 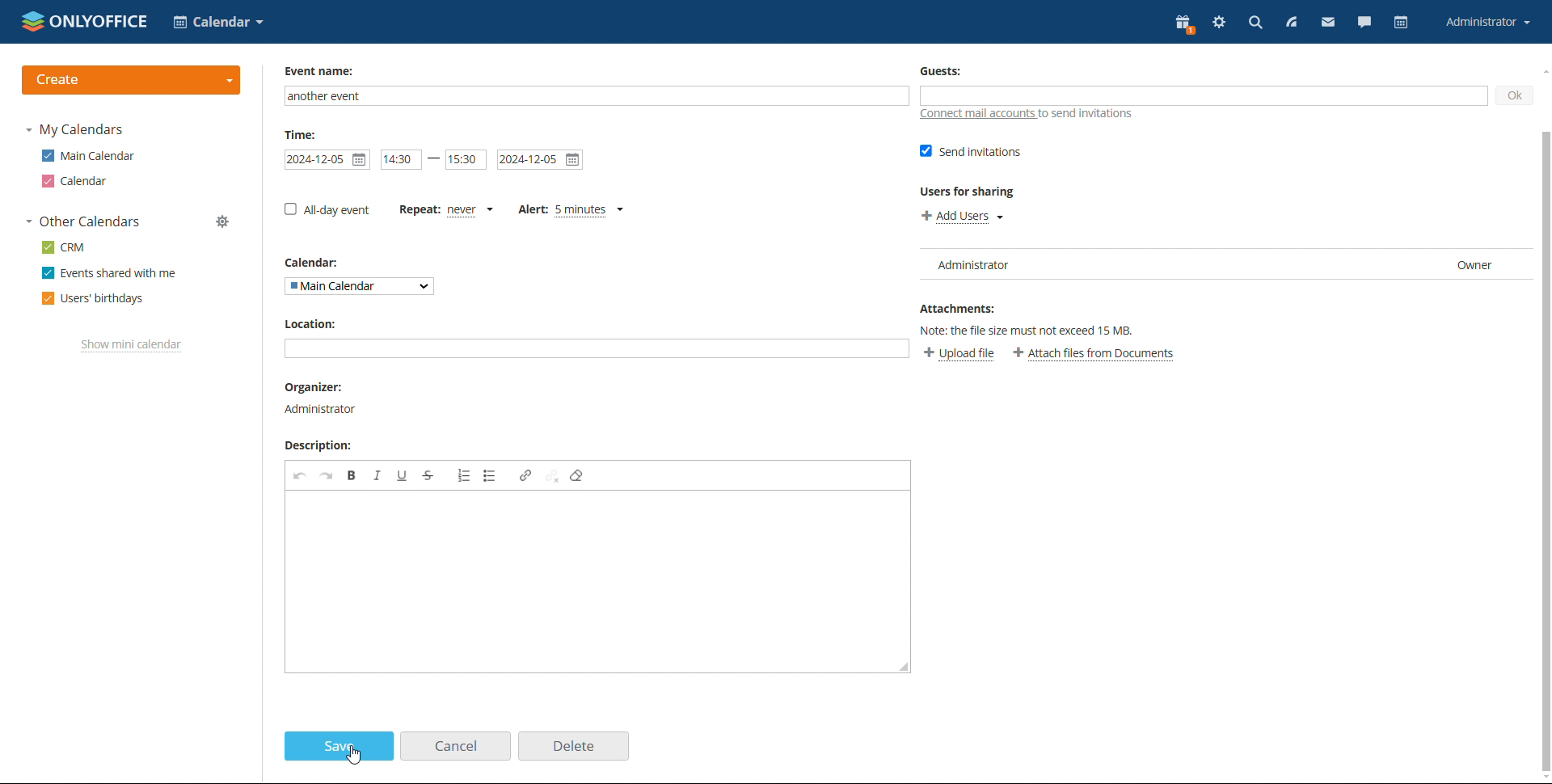 I want to click on send invitations, so click(x=971, y=153).